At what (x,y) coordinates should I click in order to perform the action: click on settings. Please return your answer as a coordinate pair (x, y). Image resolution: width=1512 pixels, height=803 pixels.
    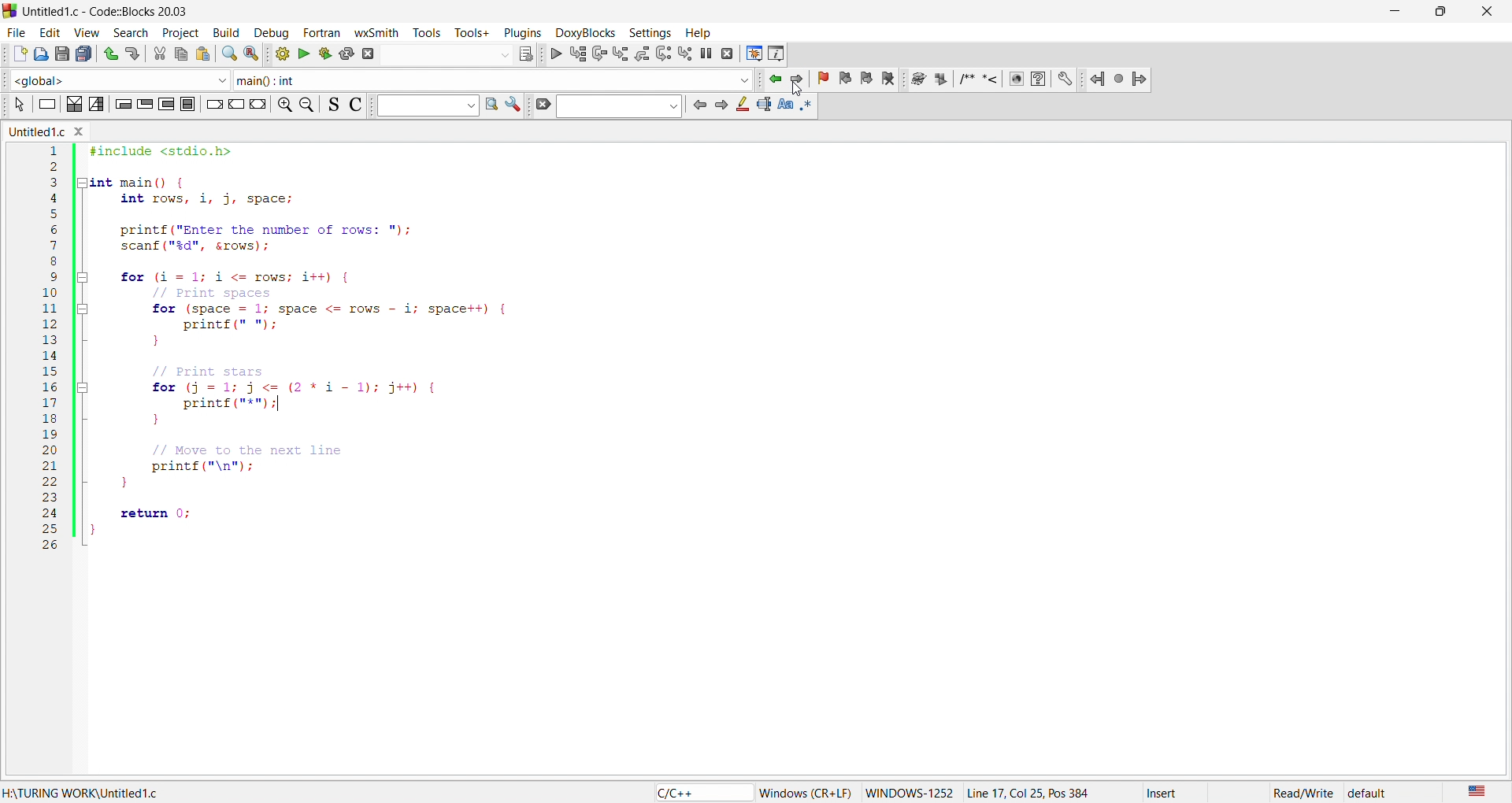
    Looking at the image, I should click on (647, 31).